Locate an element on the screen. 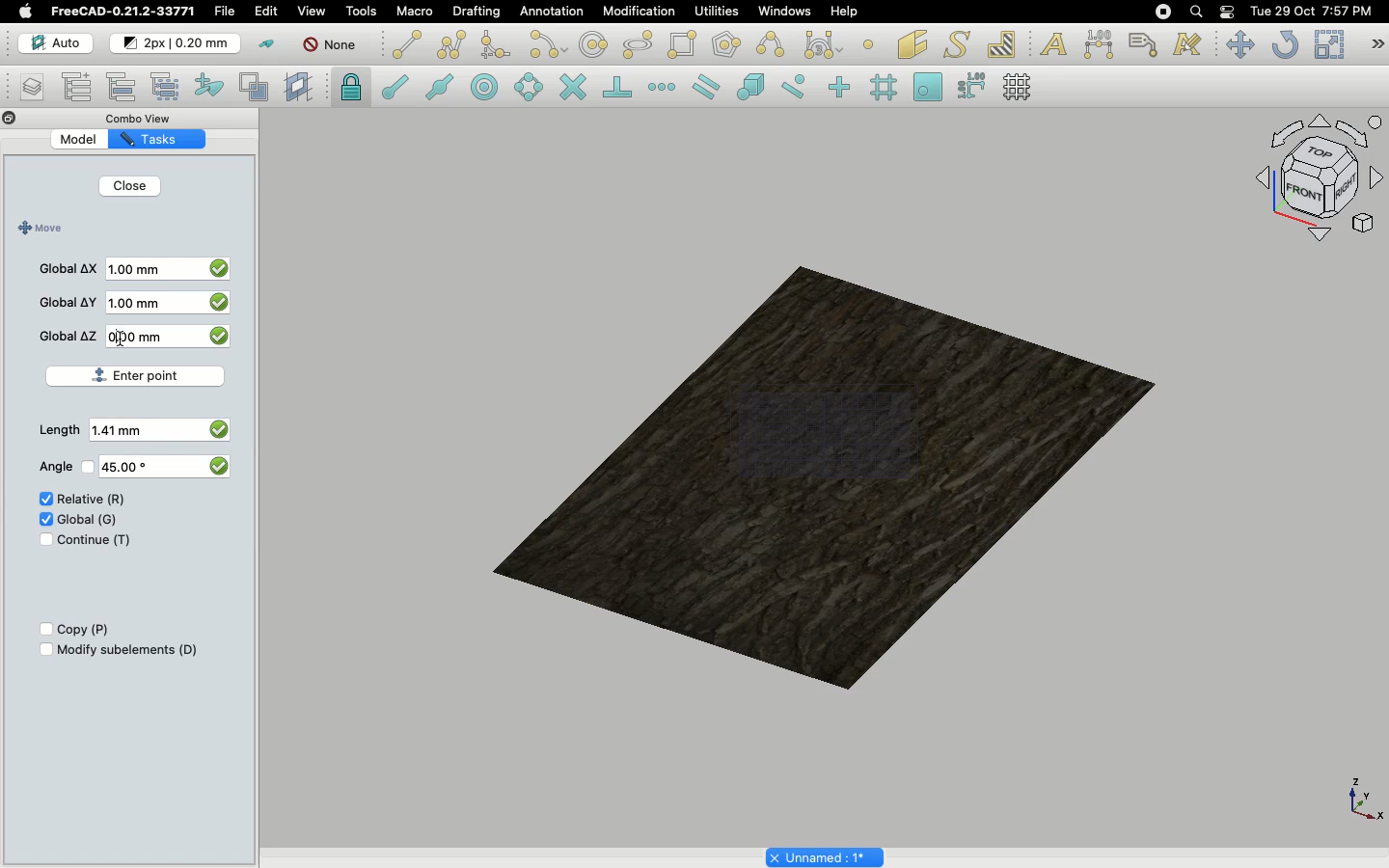 The width and height of the screenshot is (1389, 868). Modification is located at coordinates (643, 14).